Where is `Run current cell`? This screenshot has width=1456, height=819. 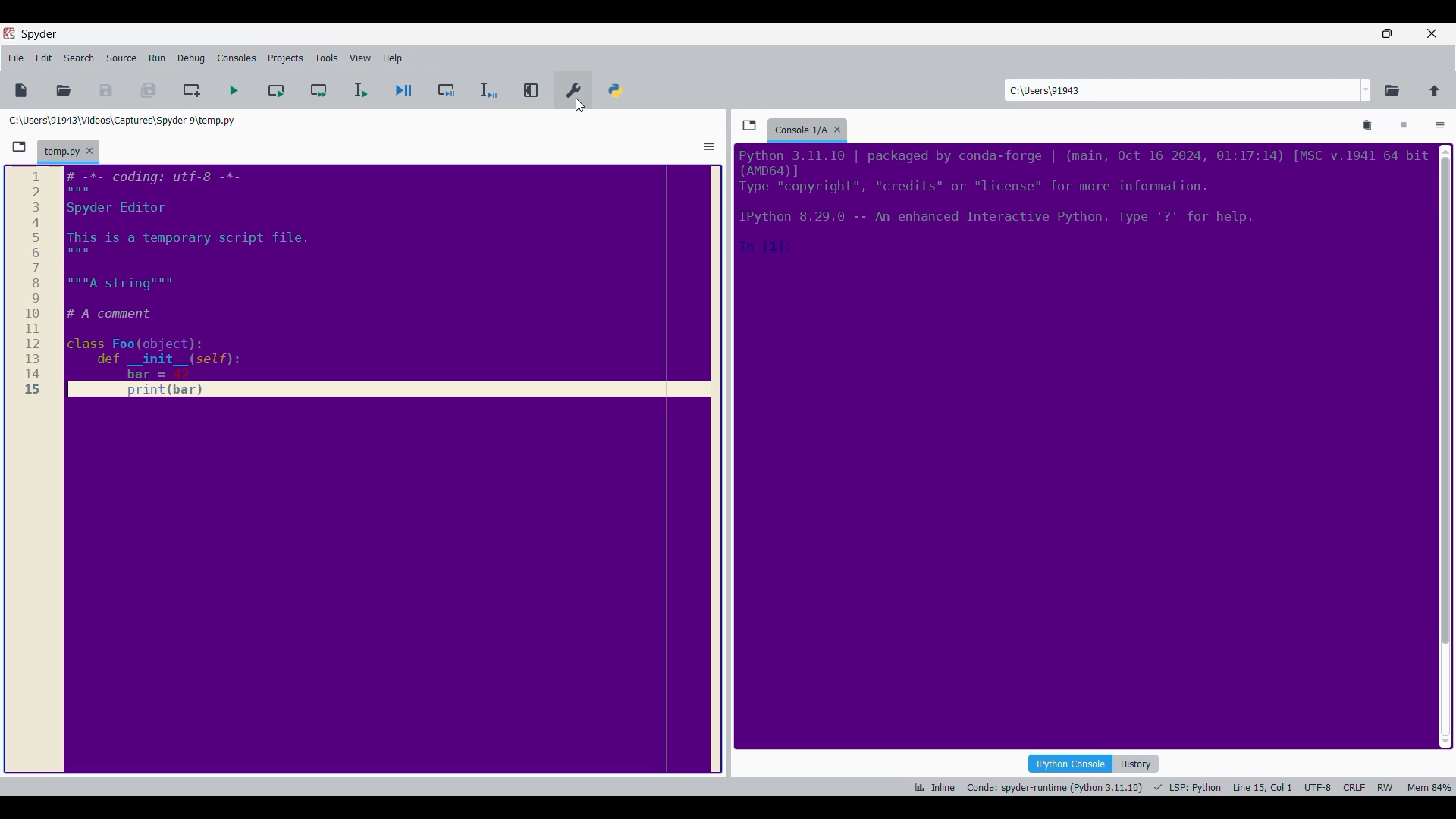
Run current cell is located at coordinates (278, 90).